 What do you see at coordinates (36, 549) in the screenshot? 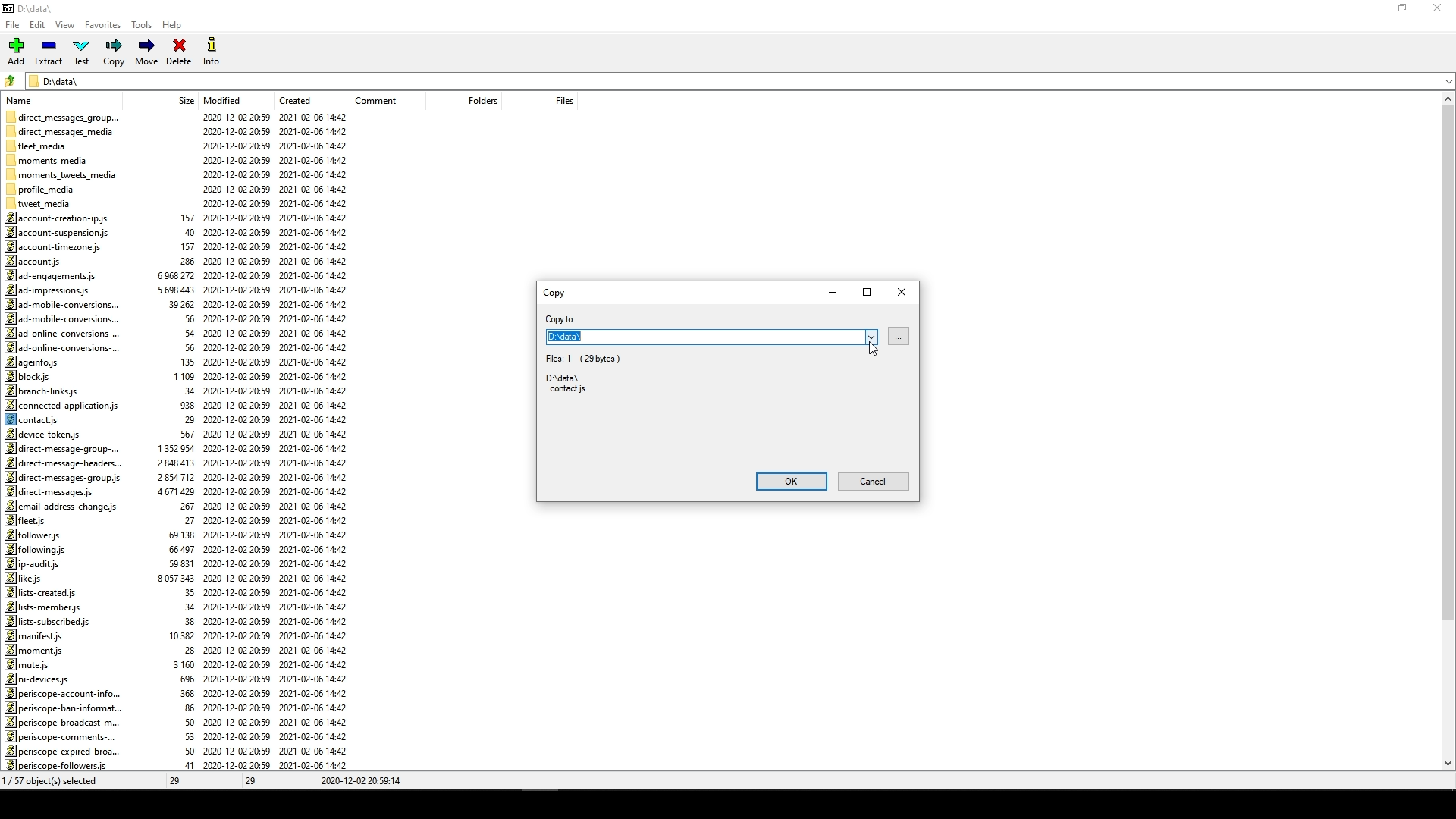
I see `fol` at bounding box center [36, 549].